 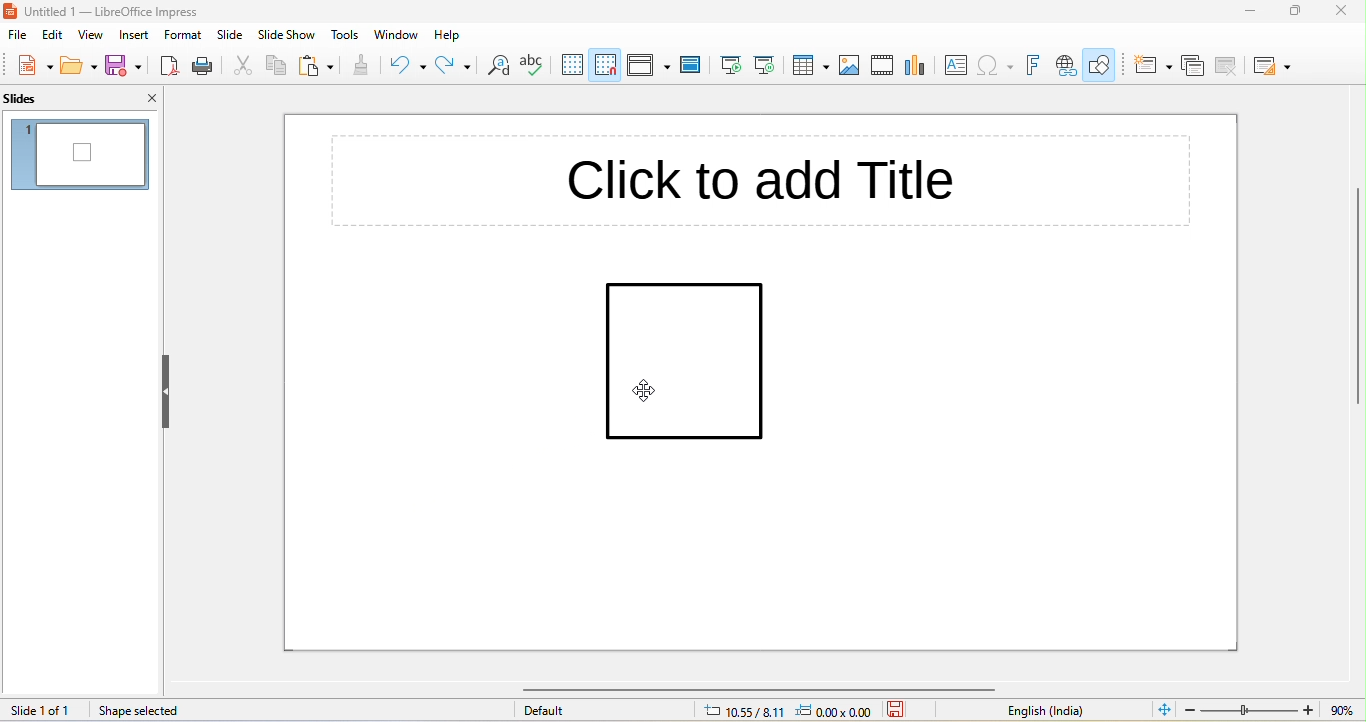 I want to click on new, so click(x=36, y=67).